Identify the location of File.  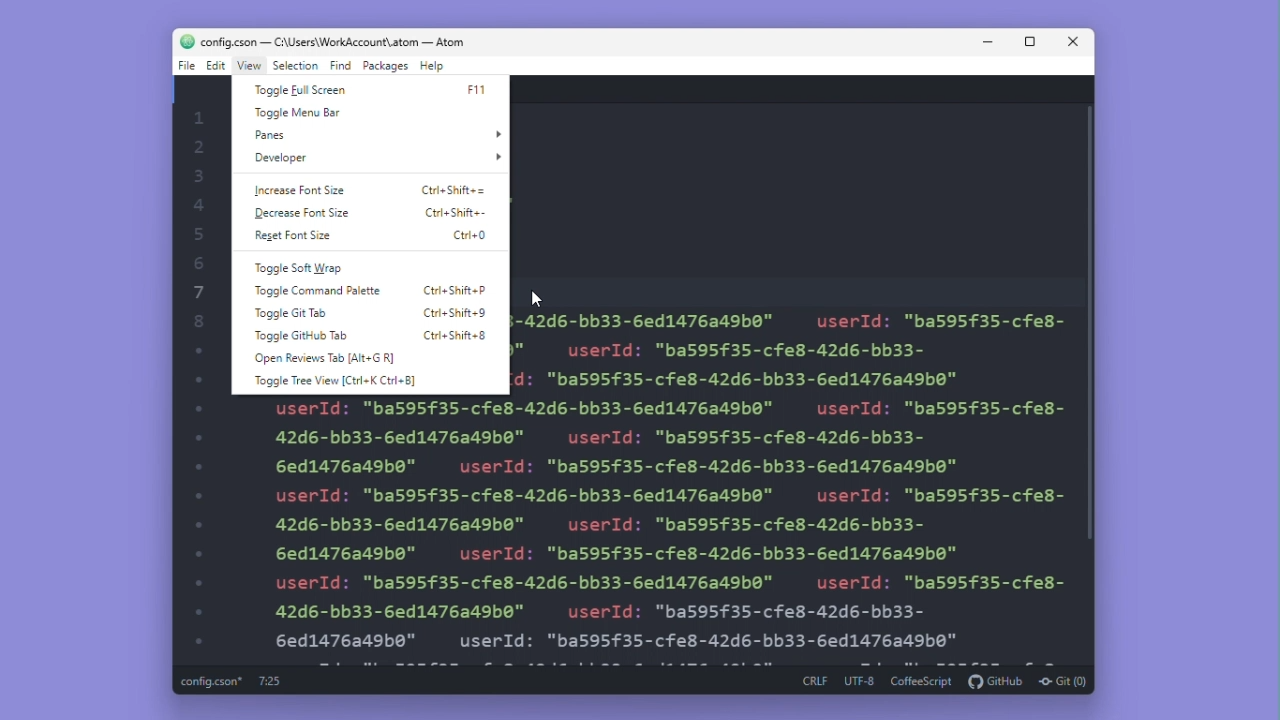
(184, 65).